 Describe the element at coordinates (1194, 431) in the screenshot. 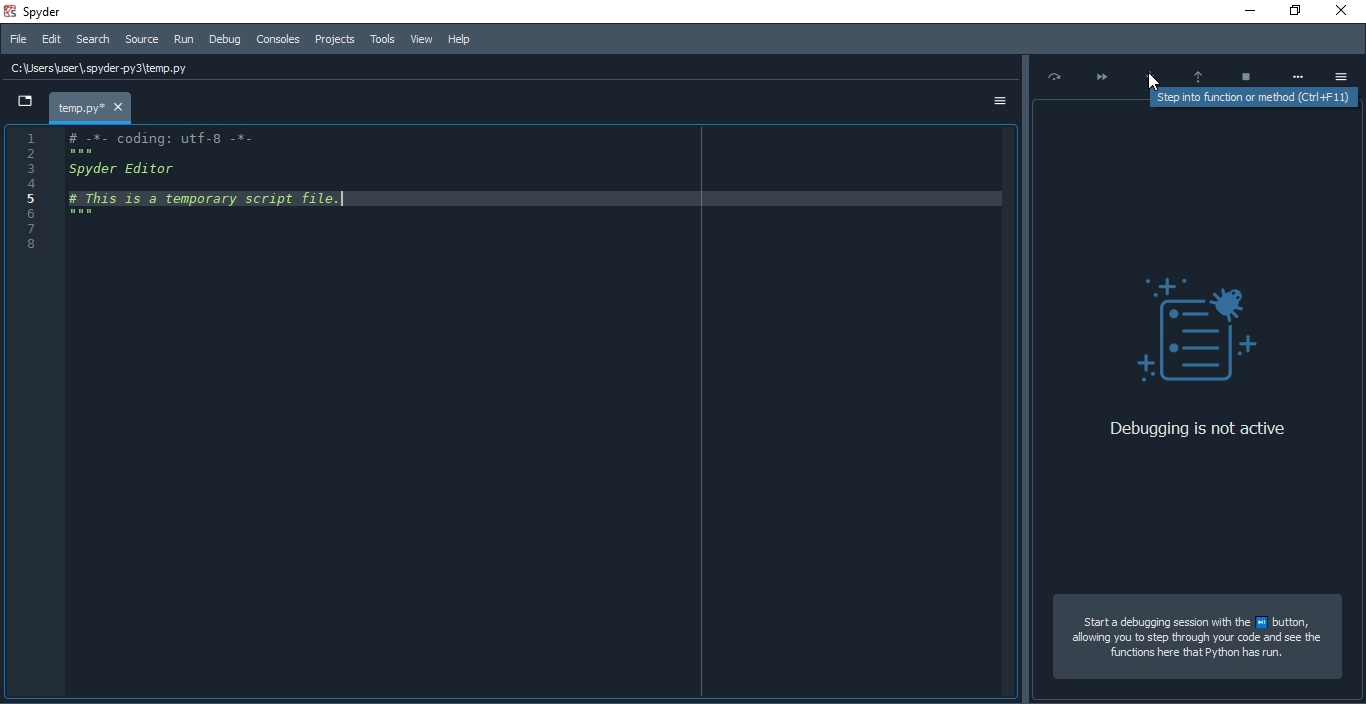

I see `Debugging is not active` at that location.